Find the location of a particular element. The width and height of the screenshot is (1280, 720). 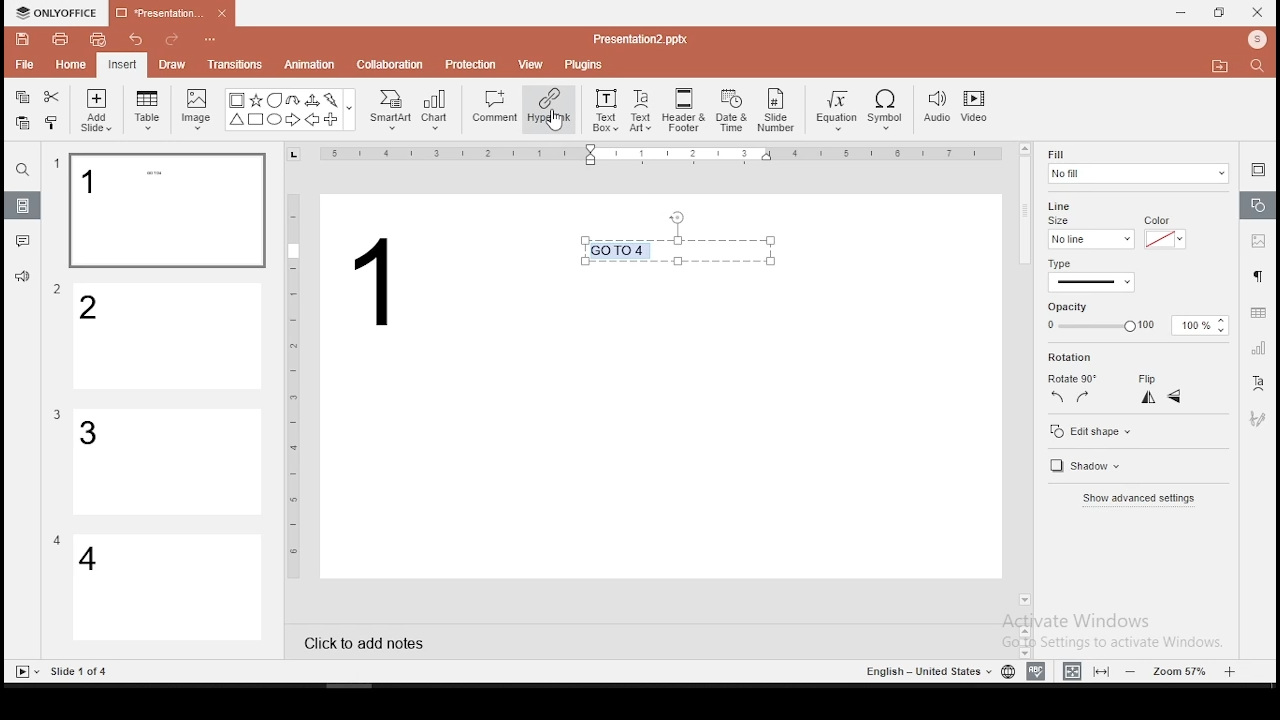

protection is located at coordinates (471, 63).